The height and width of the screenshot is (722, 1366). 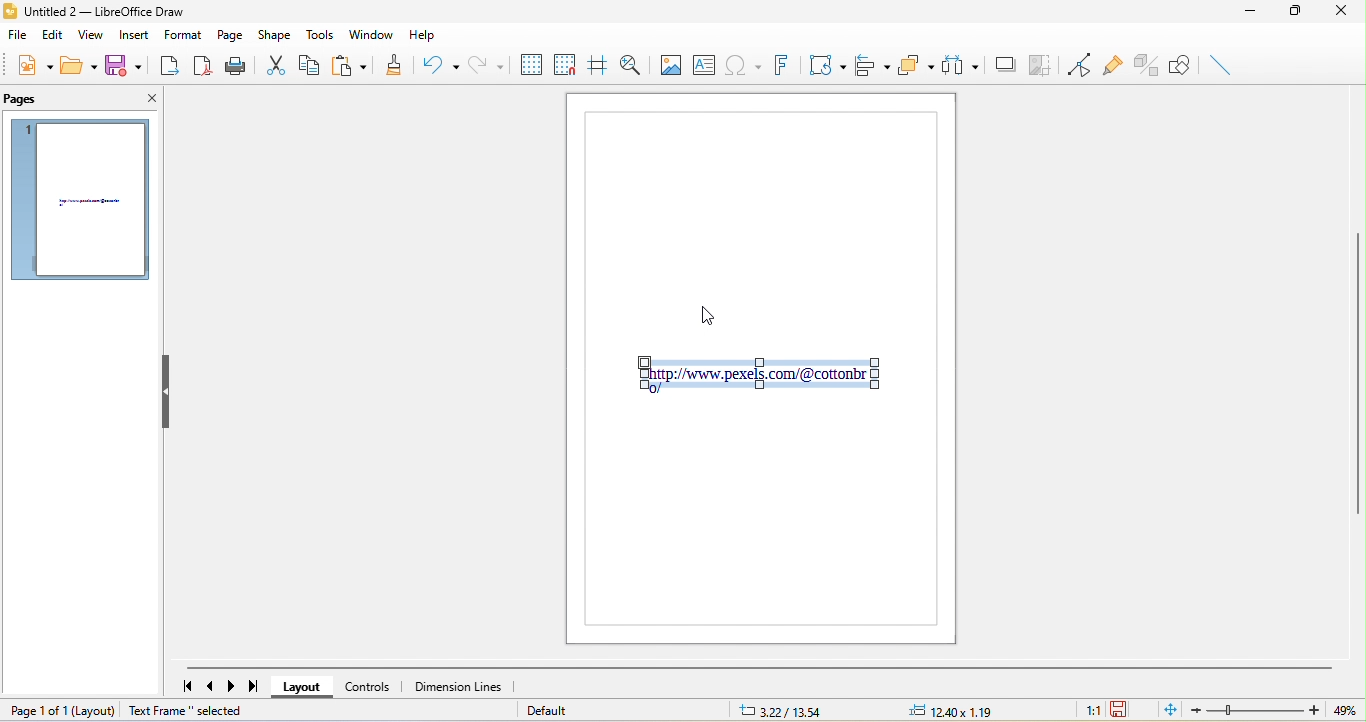 What do you see at coordinates (761, 520) in the screenshot?
I see `Page1` at bounding box center [761, 520].